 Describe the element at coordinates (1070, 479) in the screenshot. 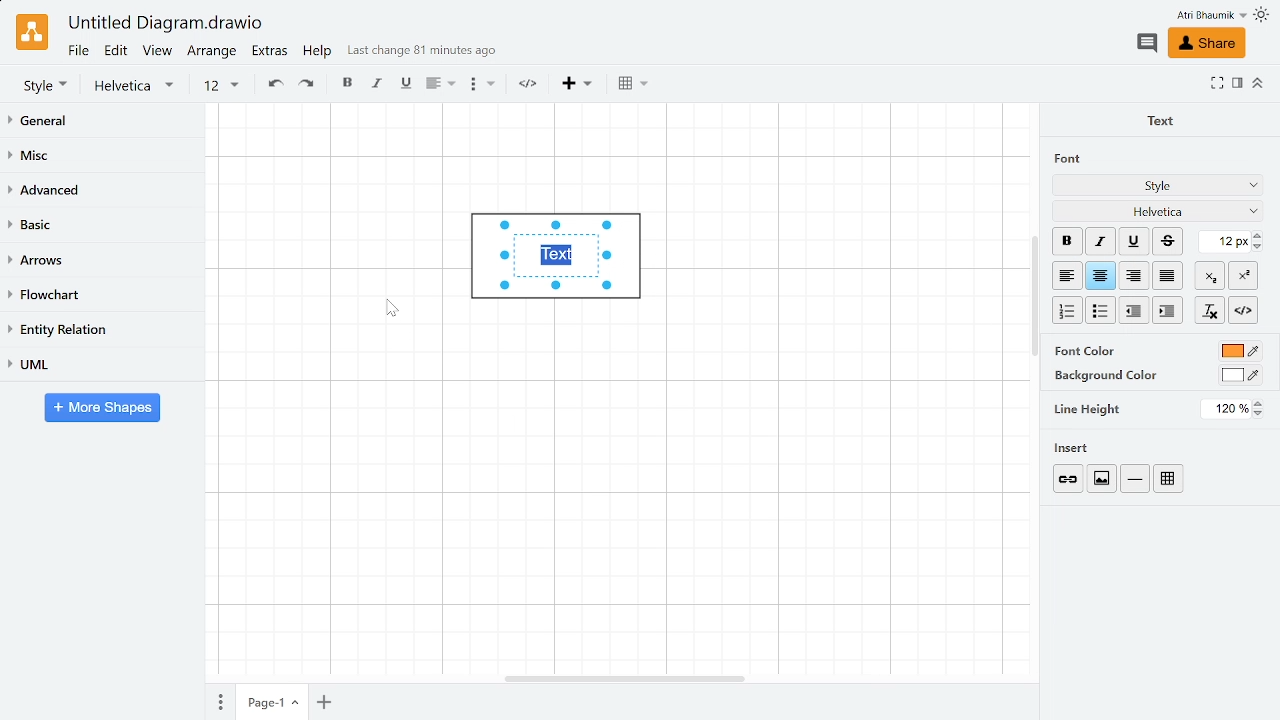

I see `Link` at that location.